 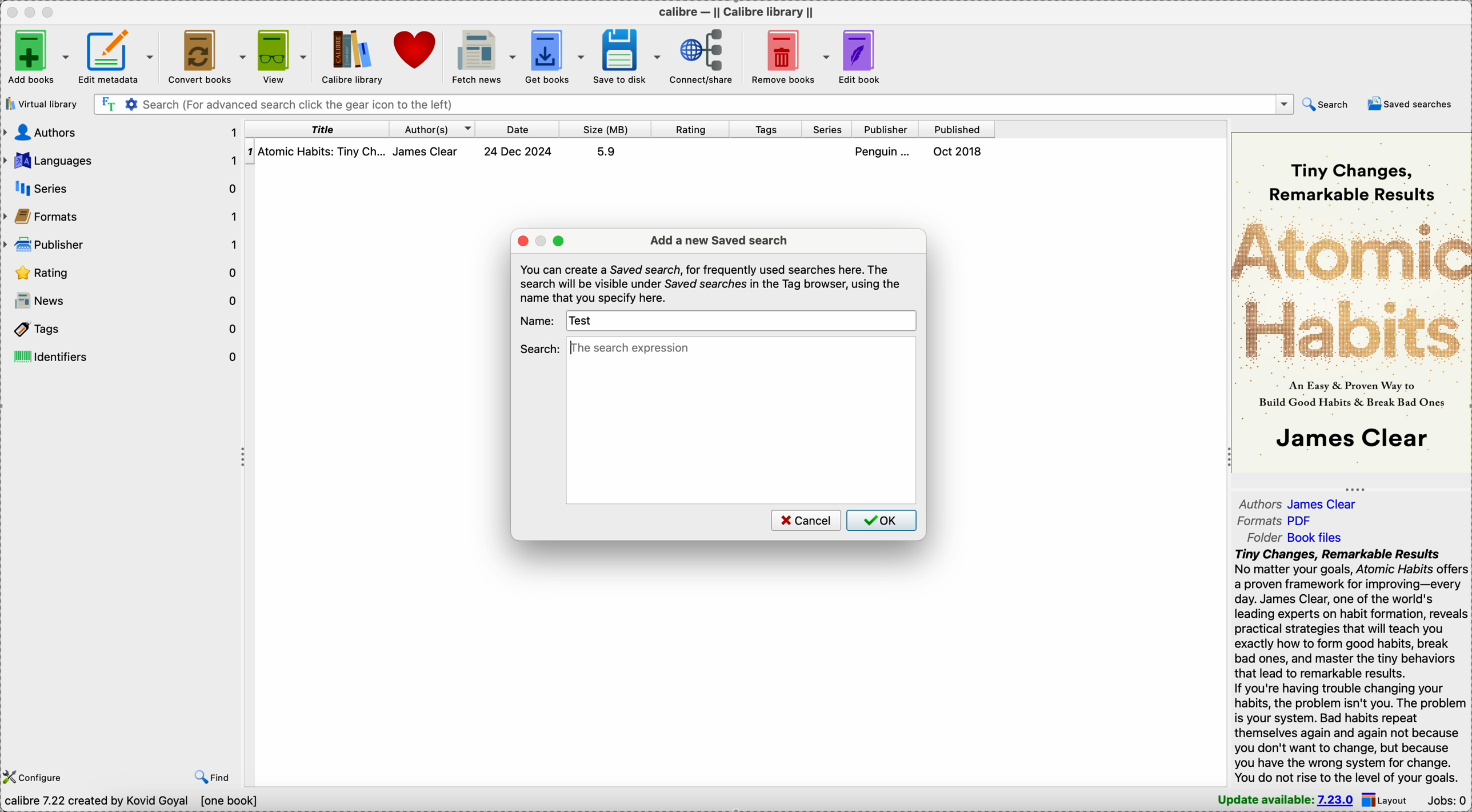 What do you see at coordinates (540, 348) in the screenshot?
I see `search` at bounding box center [540, 348].